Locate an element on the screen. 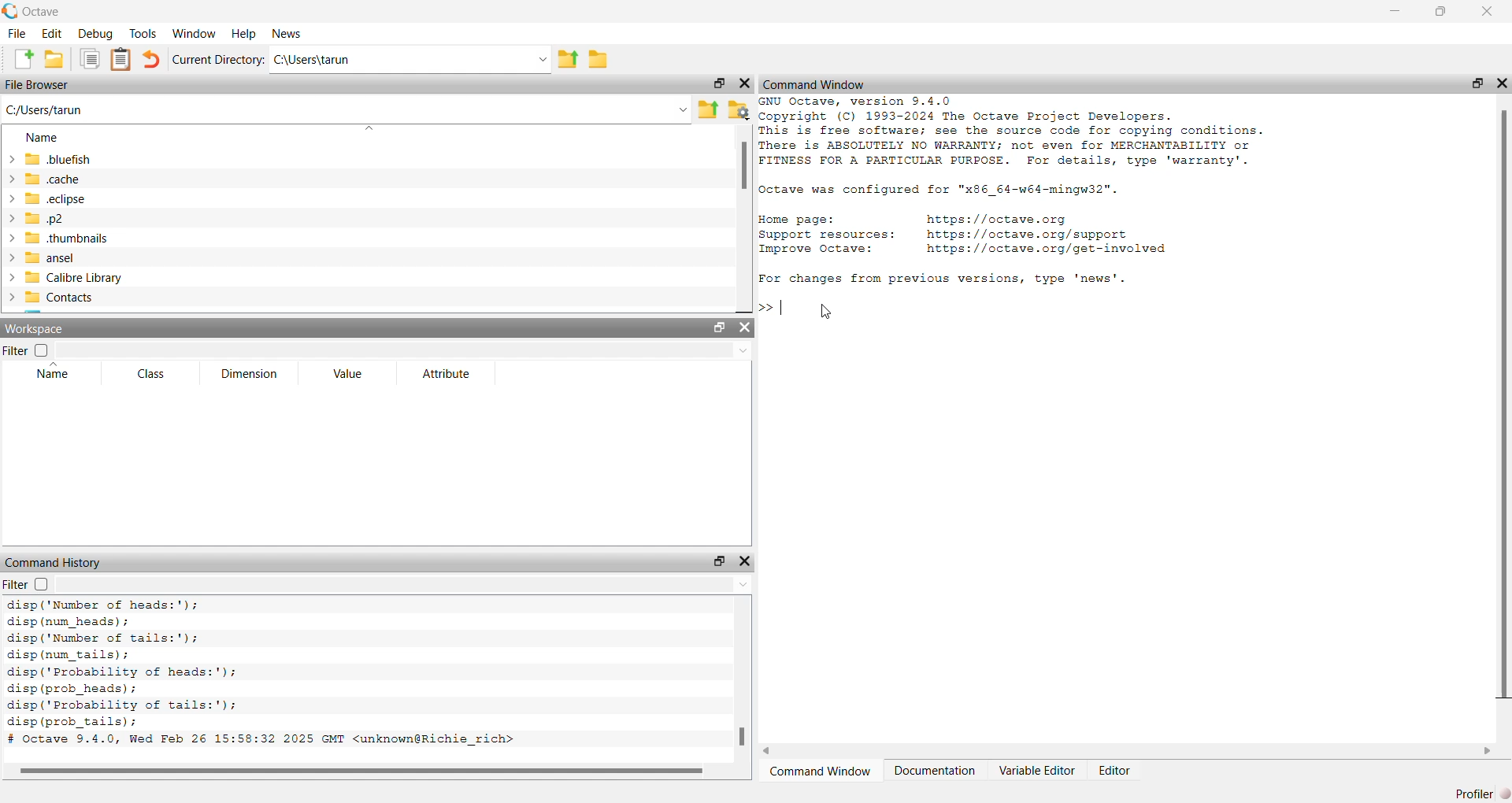 The height and width of the screenshot is (803, 1512). New script is located at coordinates (21, 59).